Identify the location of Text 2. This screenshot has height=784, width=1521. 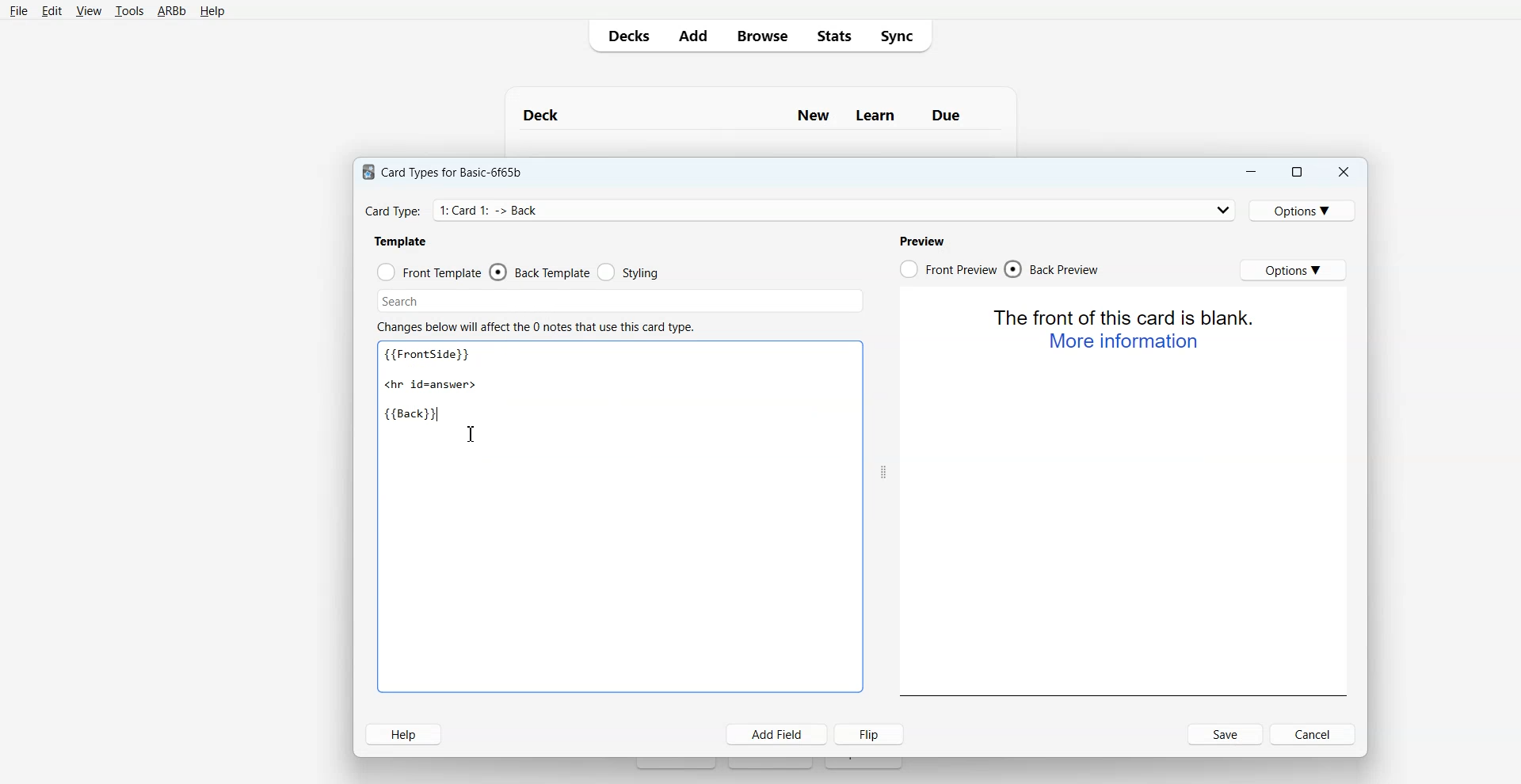
(1126, 329).